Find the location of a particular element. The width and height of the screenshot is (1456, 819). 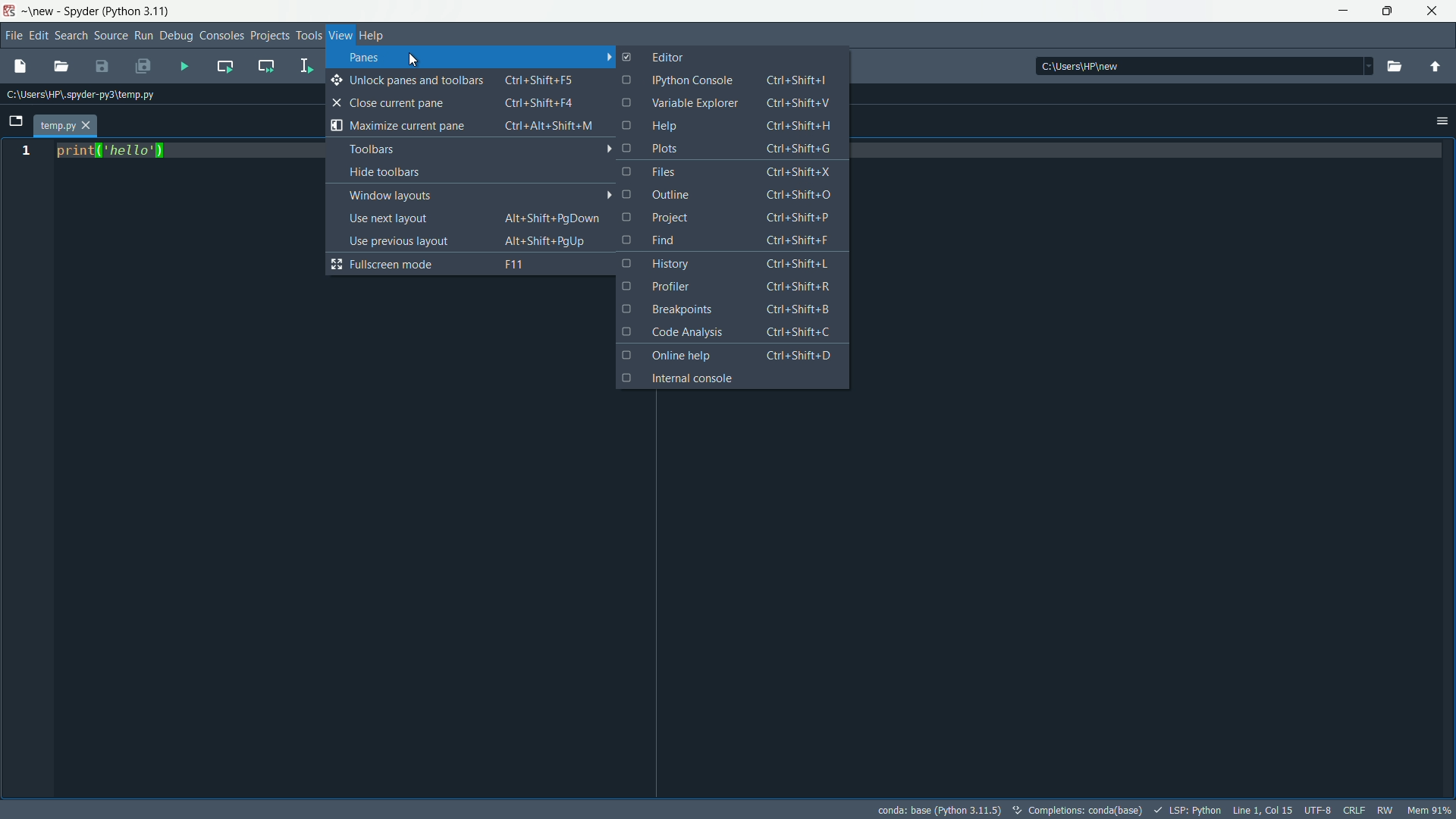

profiler is located at coordinates (724, 286).